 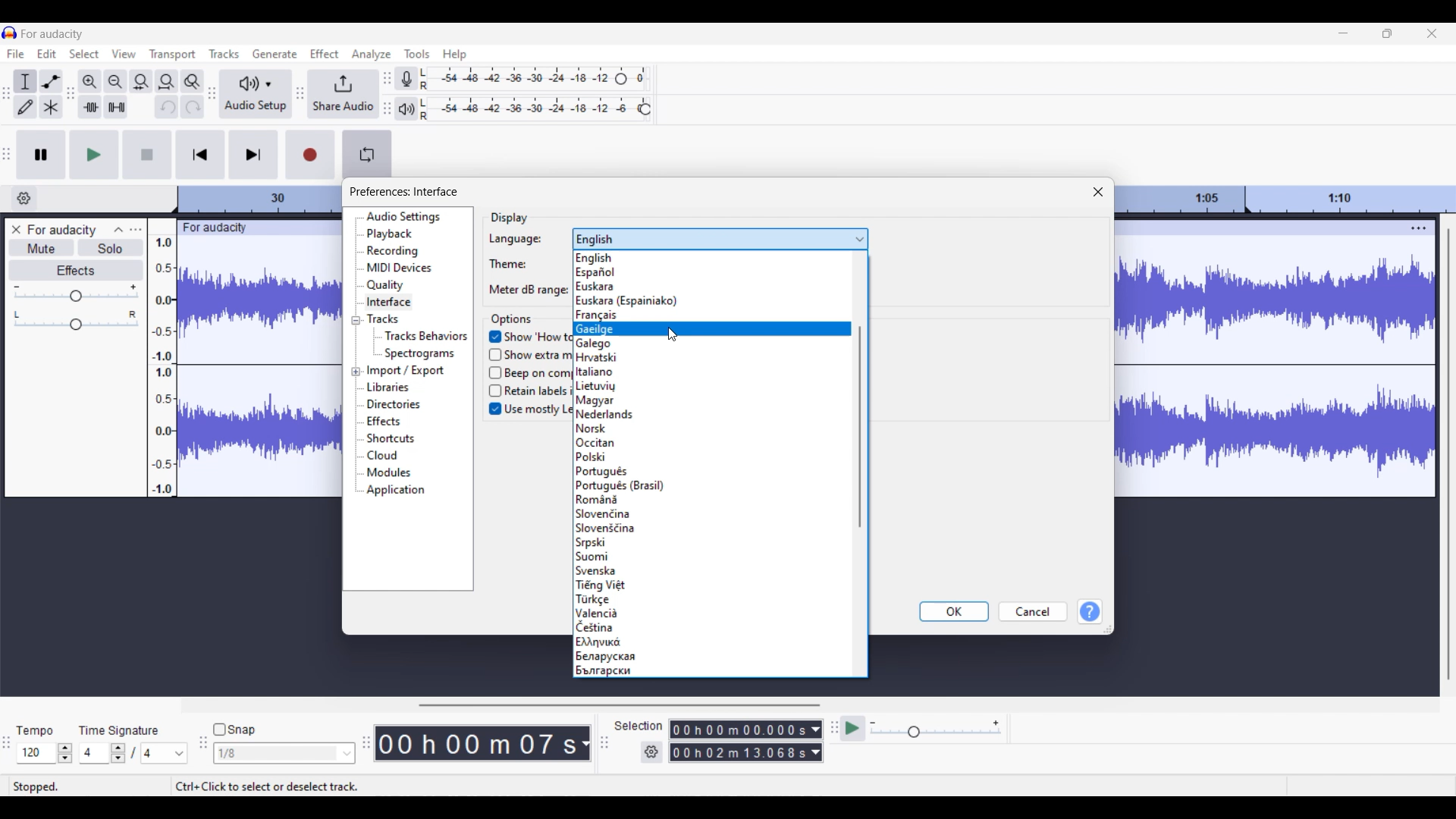 What do you see at coordinates (224, 53) in the screenshot?
I see `Tracks menu` at bounding box center [224, 53].